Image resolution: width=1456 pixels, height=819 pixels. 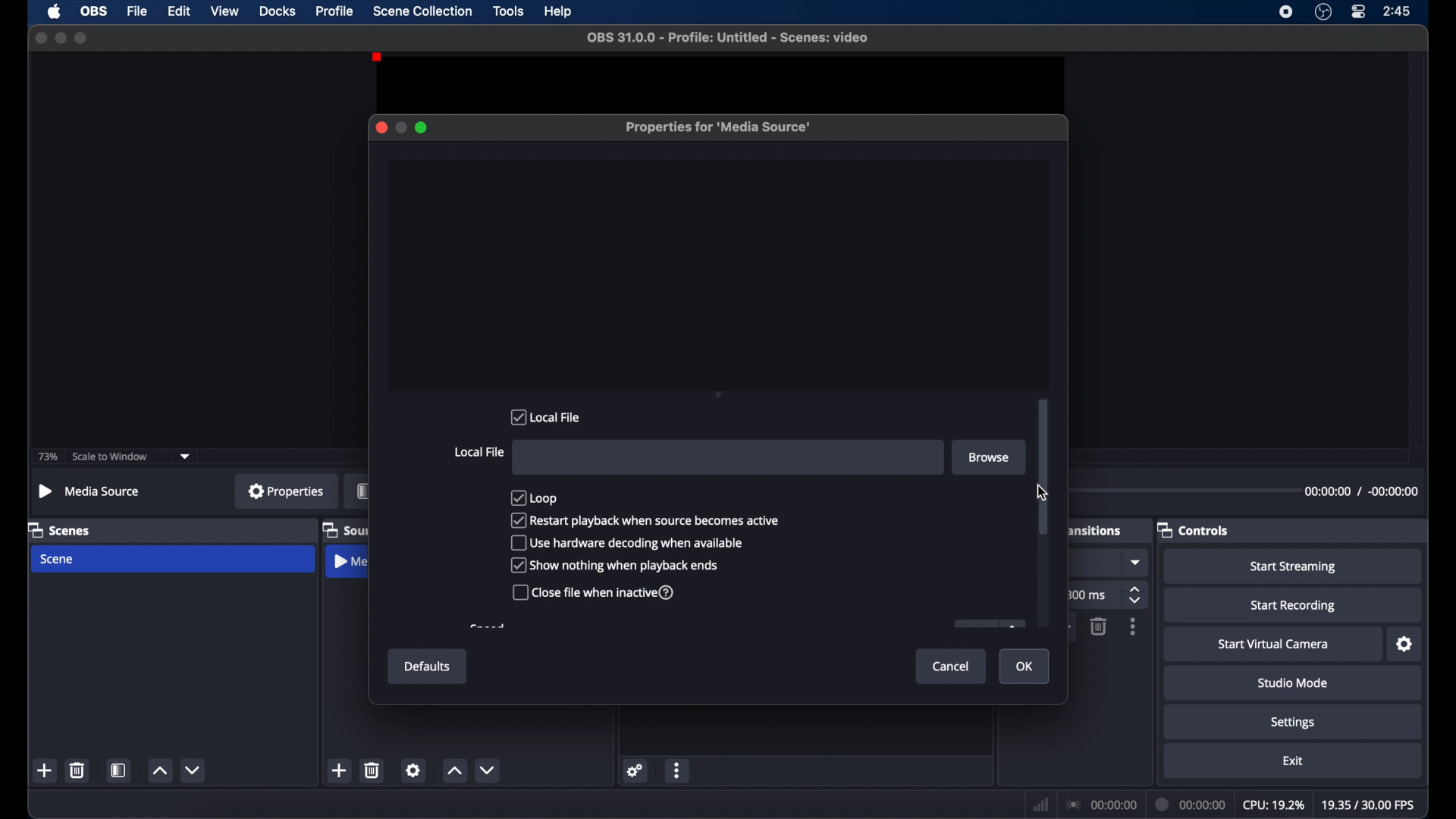 What do you see at coordinates (1274, 645) in the screenshot?
I see `start virtual camera` at bounding box center [1274, 645].